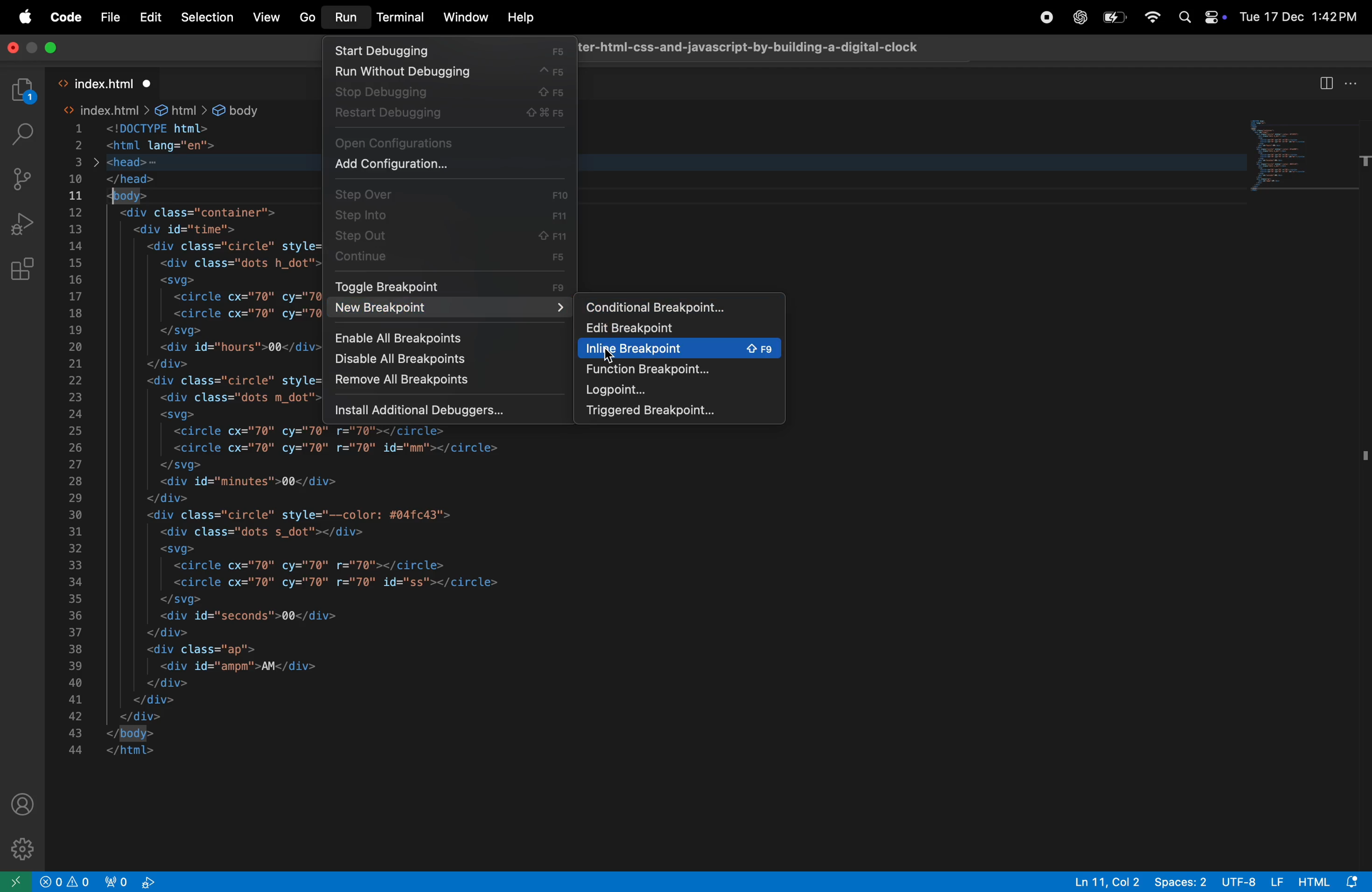 The height and width of the screenshot is (892, 1372). What do you see at coordinates (1046, 18) in the screenshot?
I see `record` at bounding box center [1046, 18].